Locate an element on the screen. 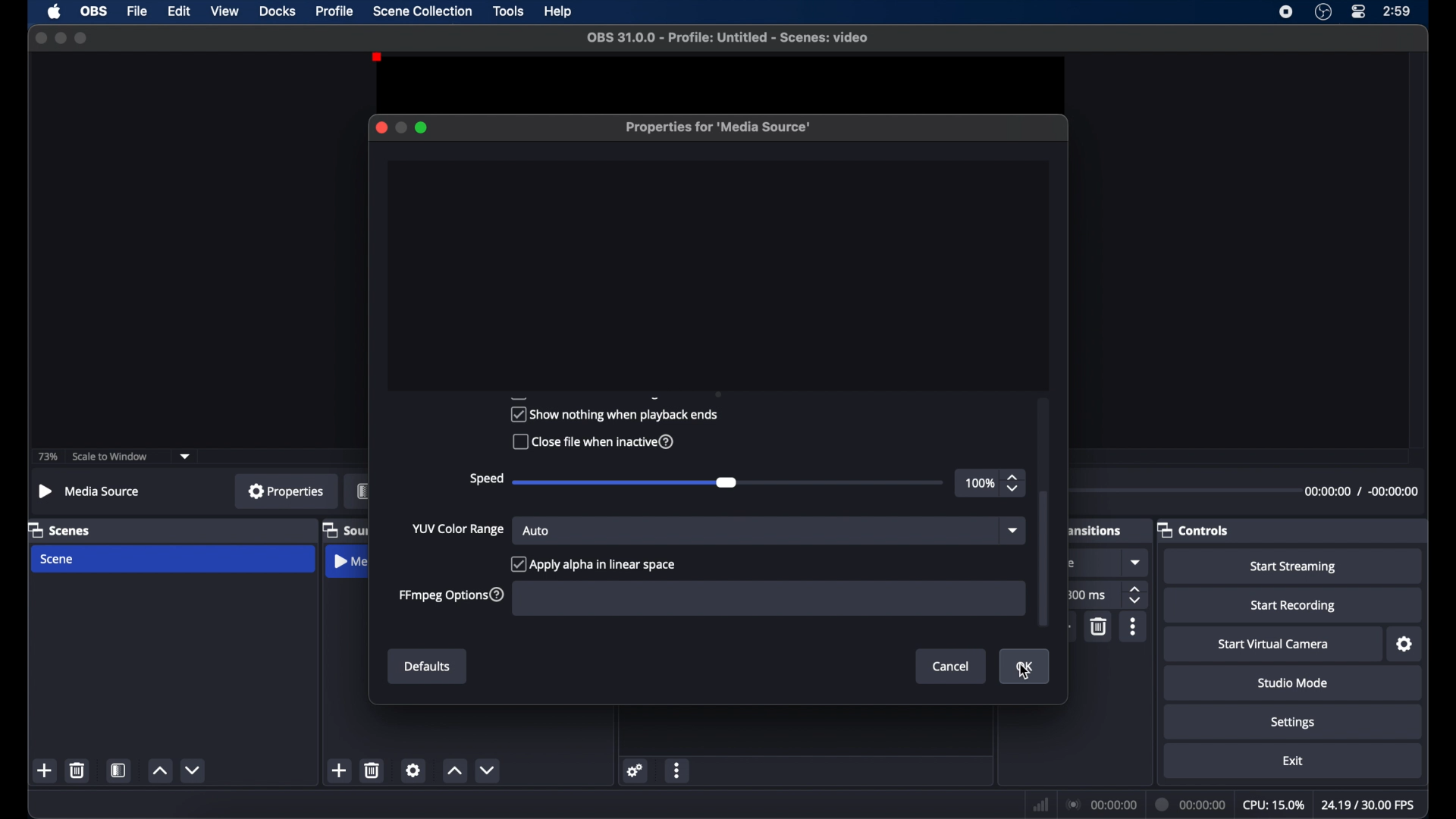 The width and height of the screenshot is (1456, 819). minimize is located at coordinates (400, 127).